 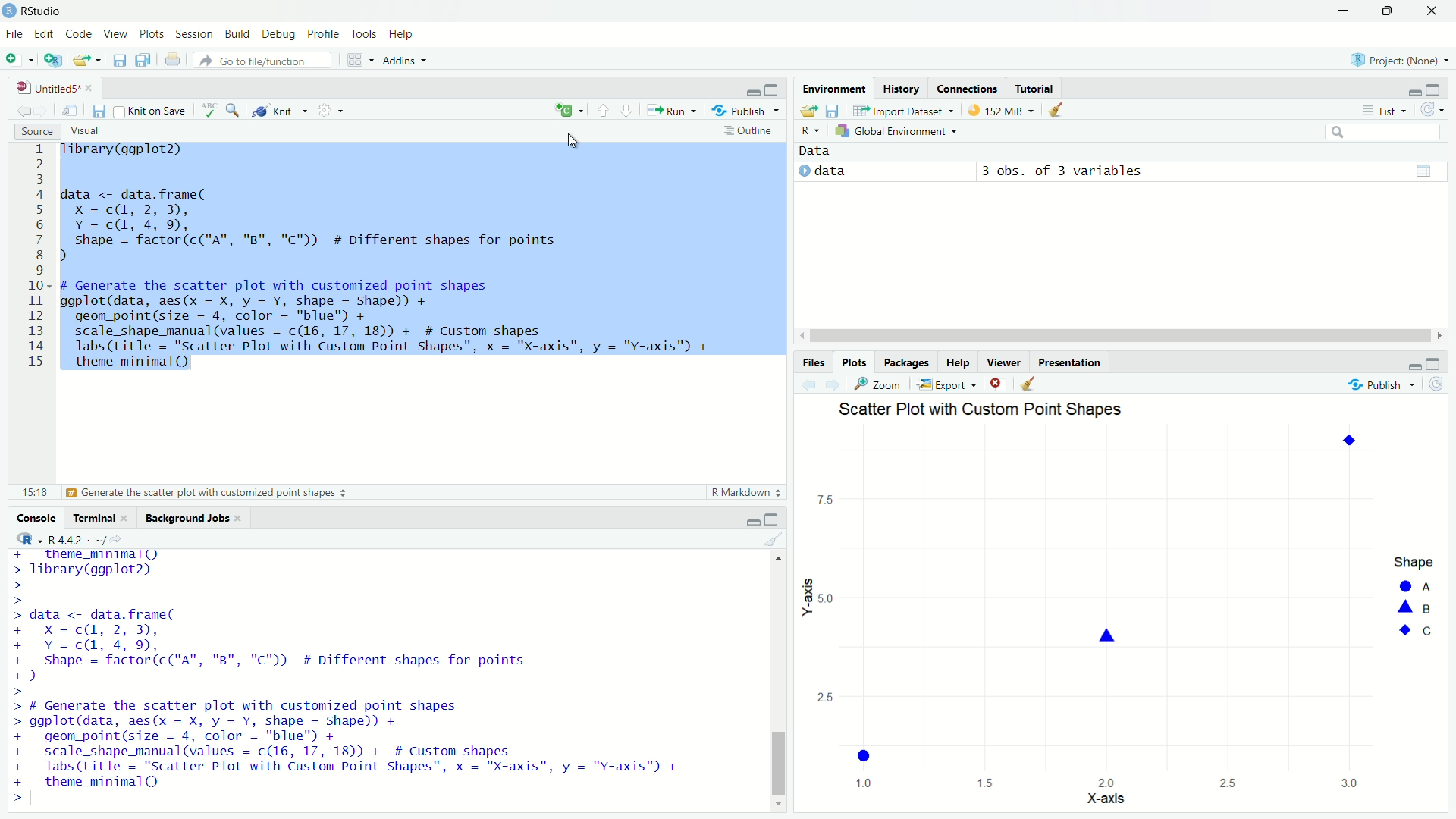 I want to click on graph, so click(x=1098, y=605).